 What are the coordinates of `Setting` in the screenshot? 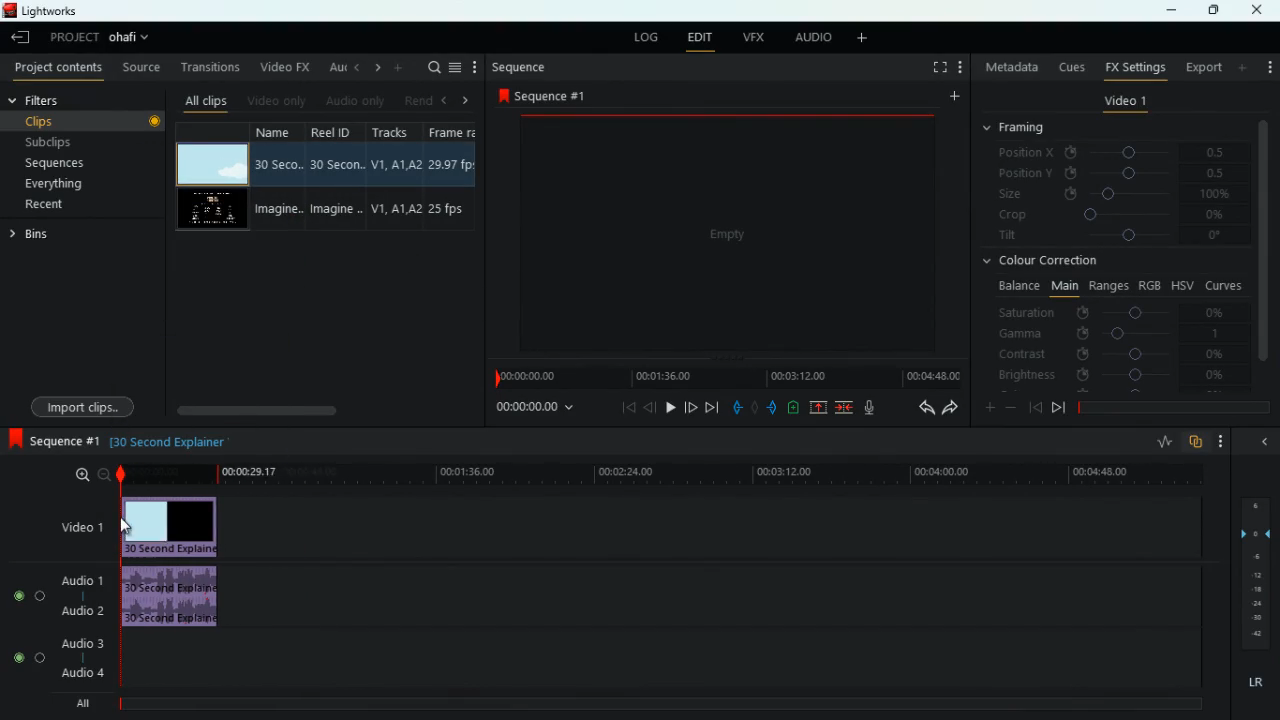 It's located at (960, 67).